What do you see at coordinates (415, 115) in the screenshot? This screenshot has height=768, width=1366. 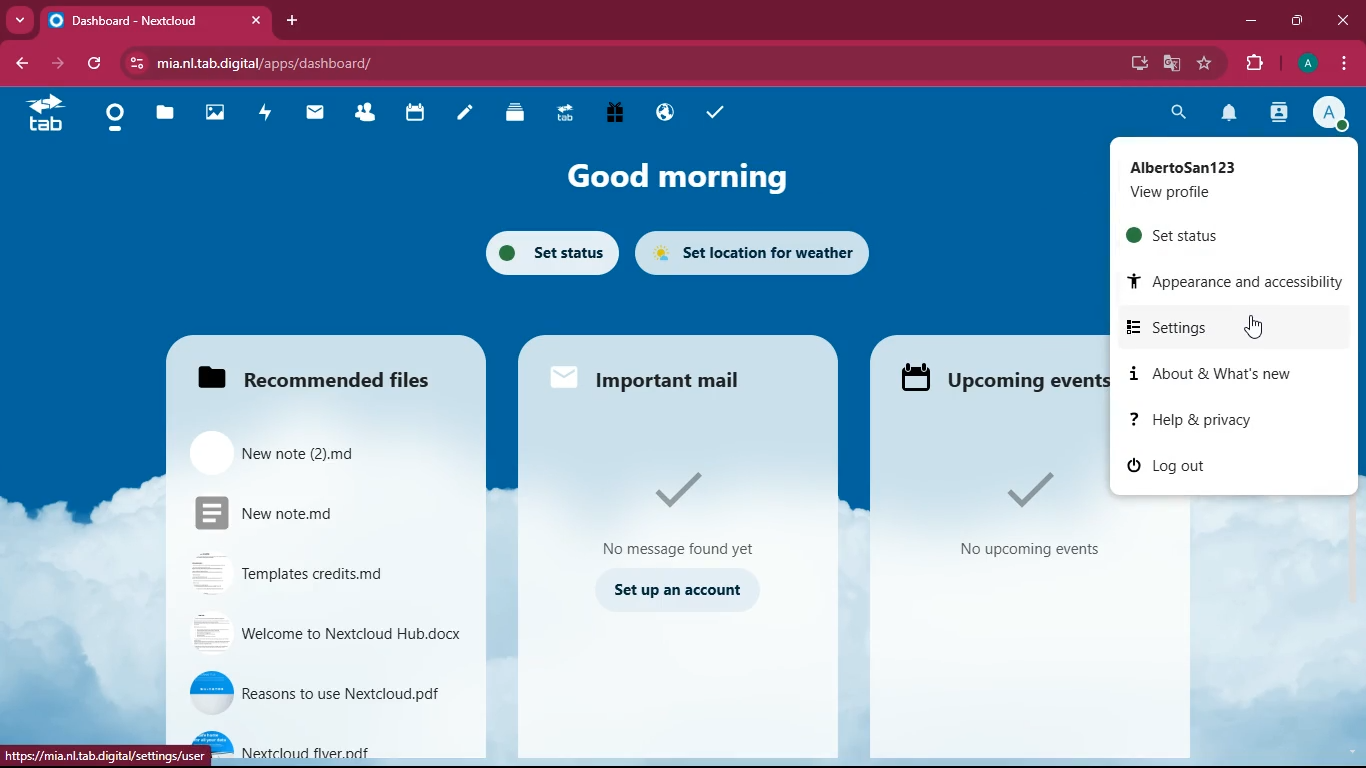 I see `calendar` at bounding box center [415, 115].